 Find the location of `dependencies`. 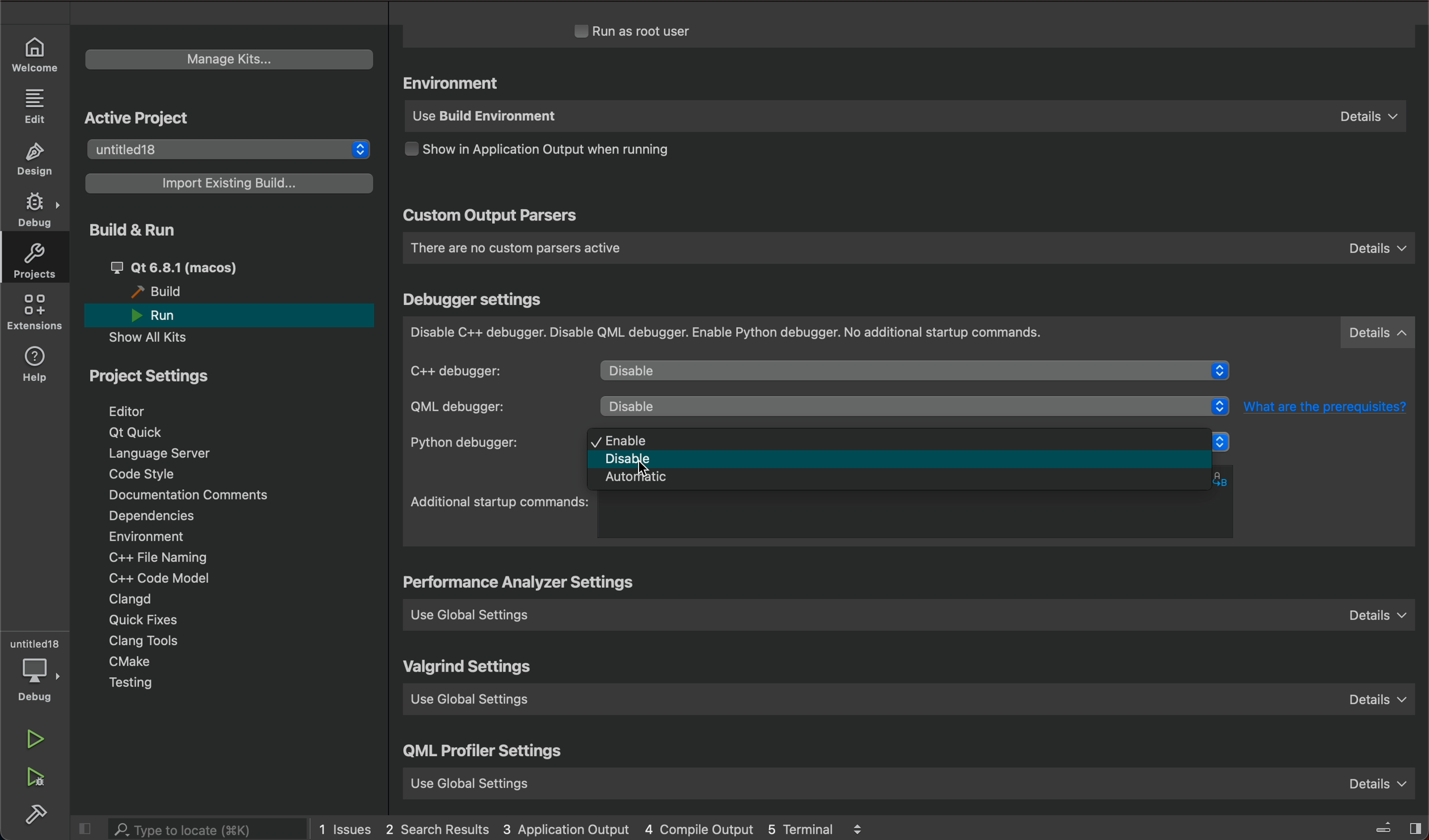

dependencies is located at coordinates (150, 515).